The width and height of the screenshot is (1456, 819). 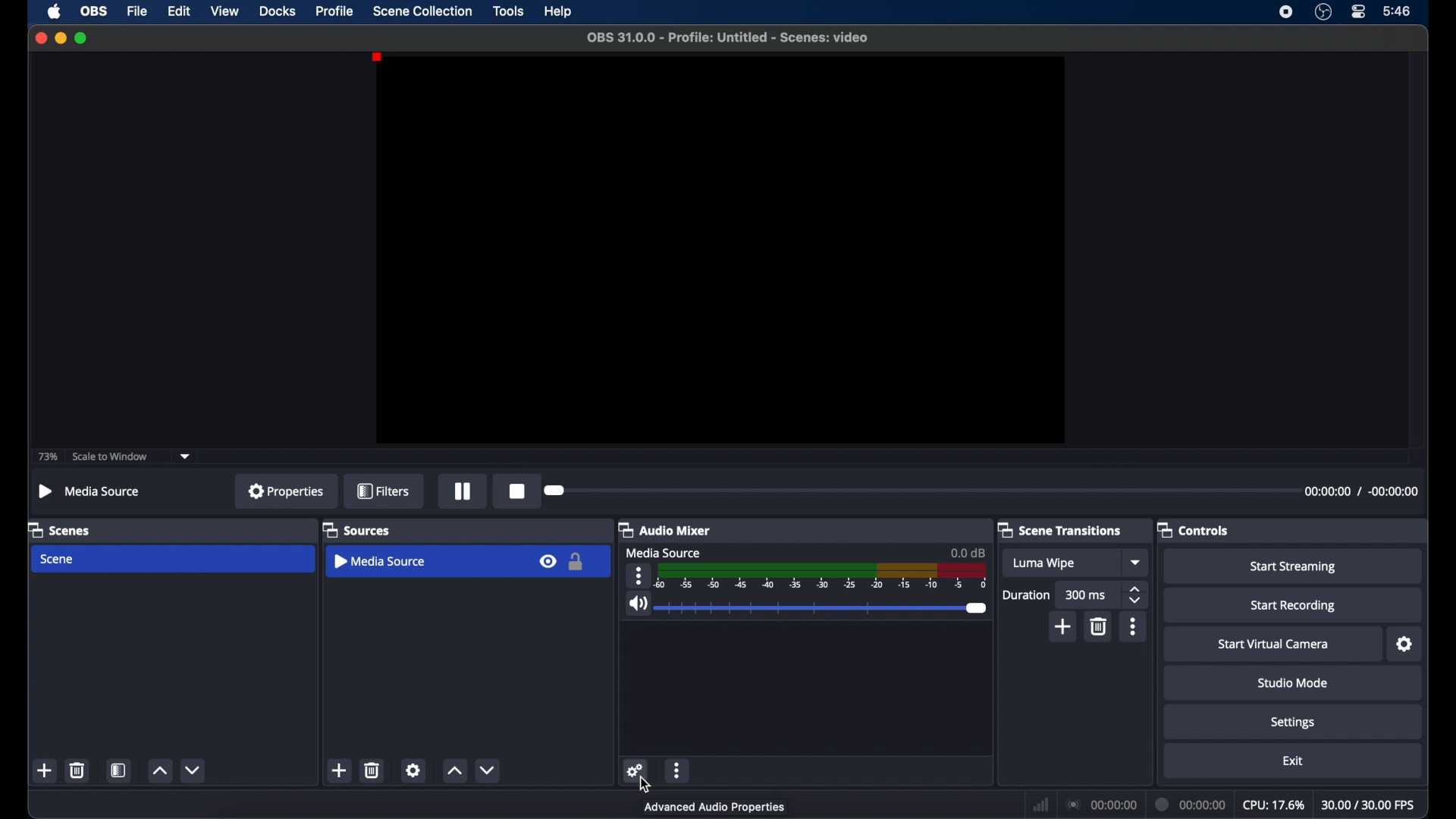 I want to click on apple icon, so click(x=54, y=11).